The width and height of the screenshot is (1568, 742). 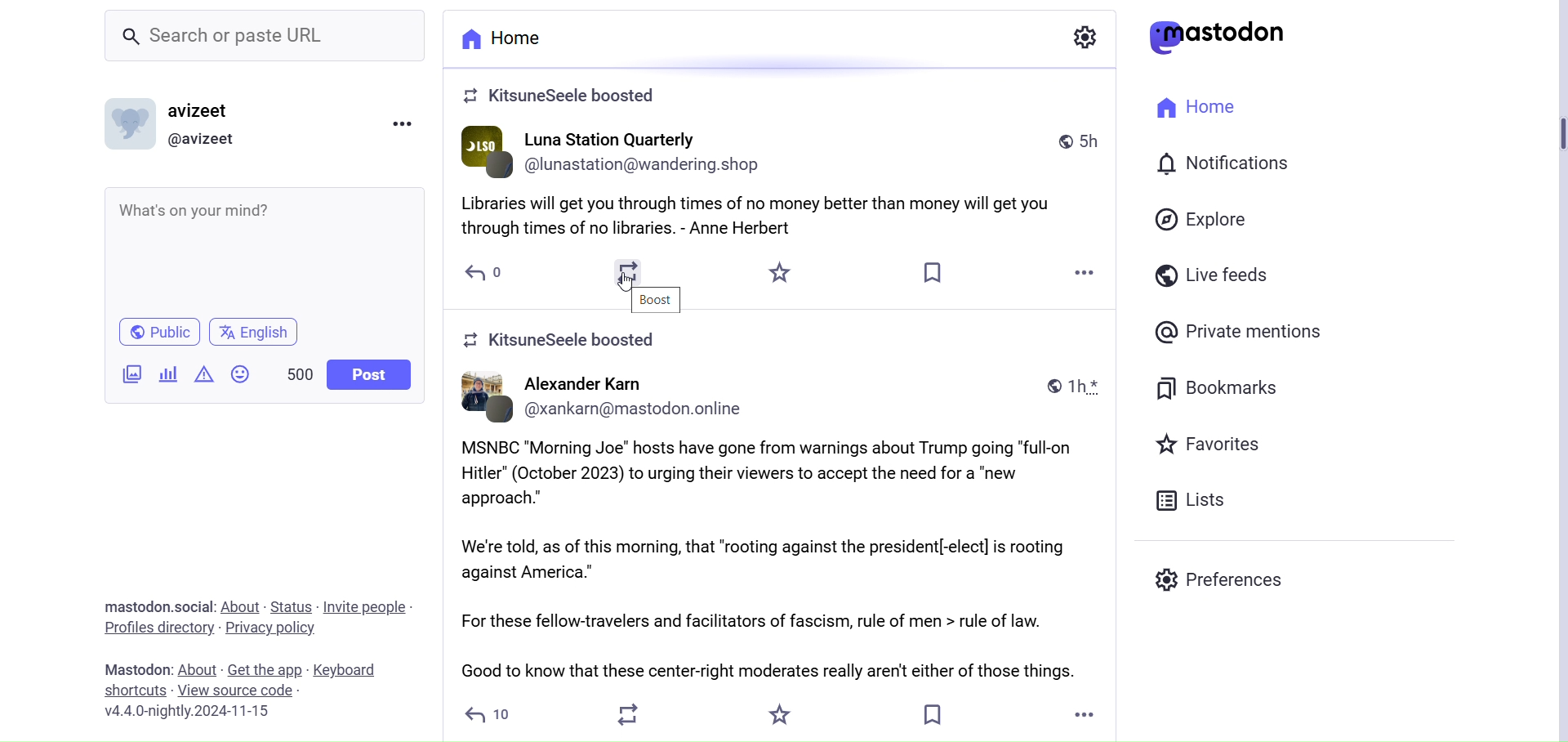 I want to click on Bookmark, so click(x=932, y=713).